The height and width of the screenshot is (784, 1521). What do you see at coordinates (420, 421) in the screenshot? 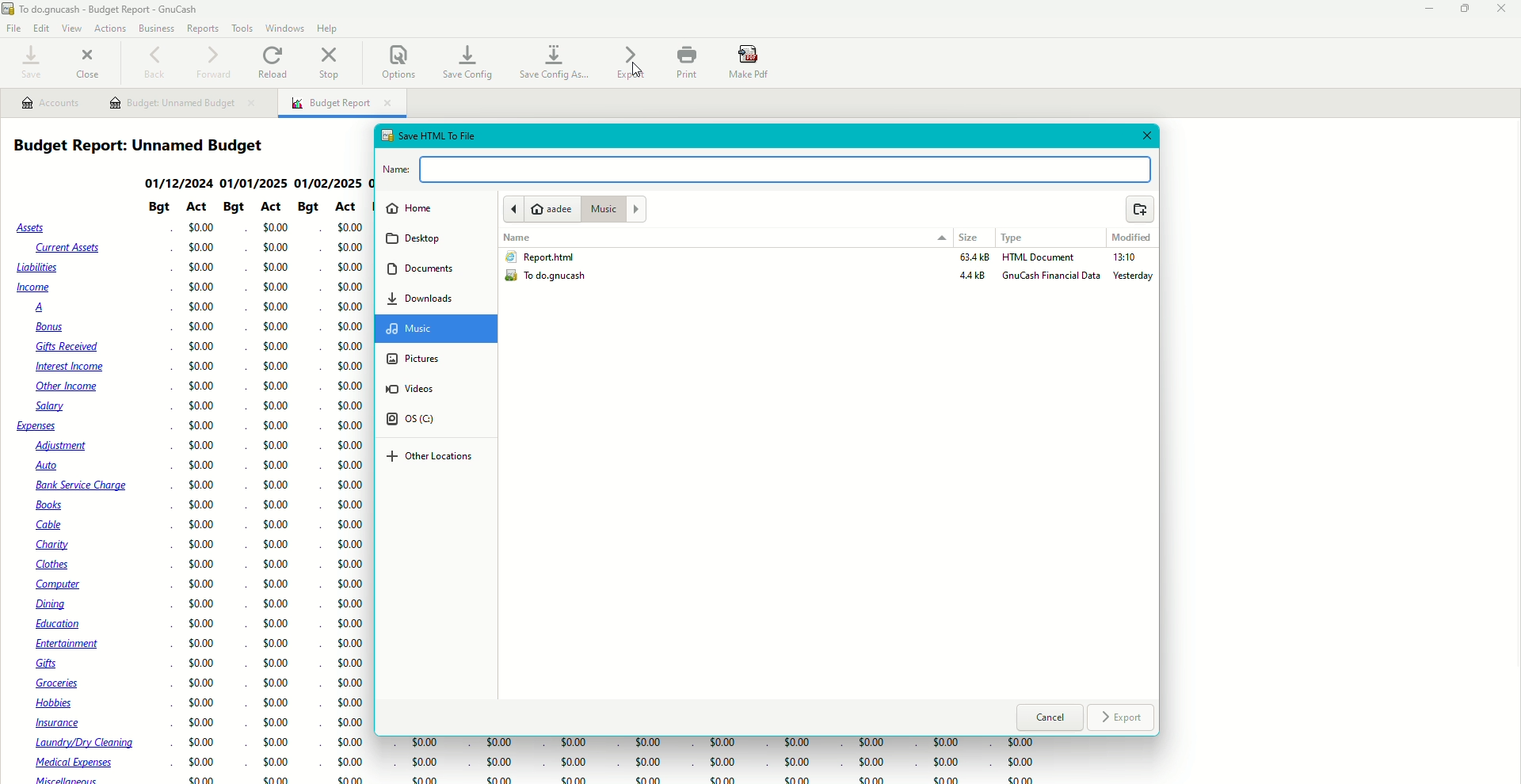
I see `OS` at bounding box center [420, 421].